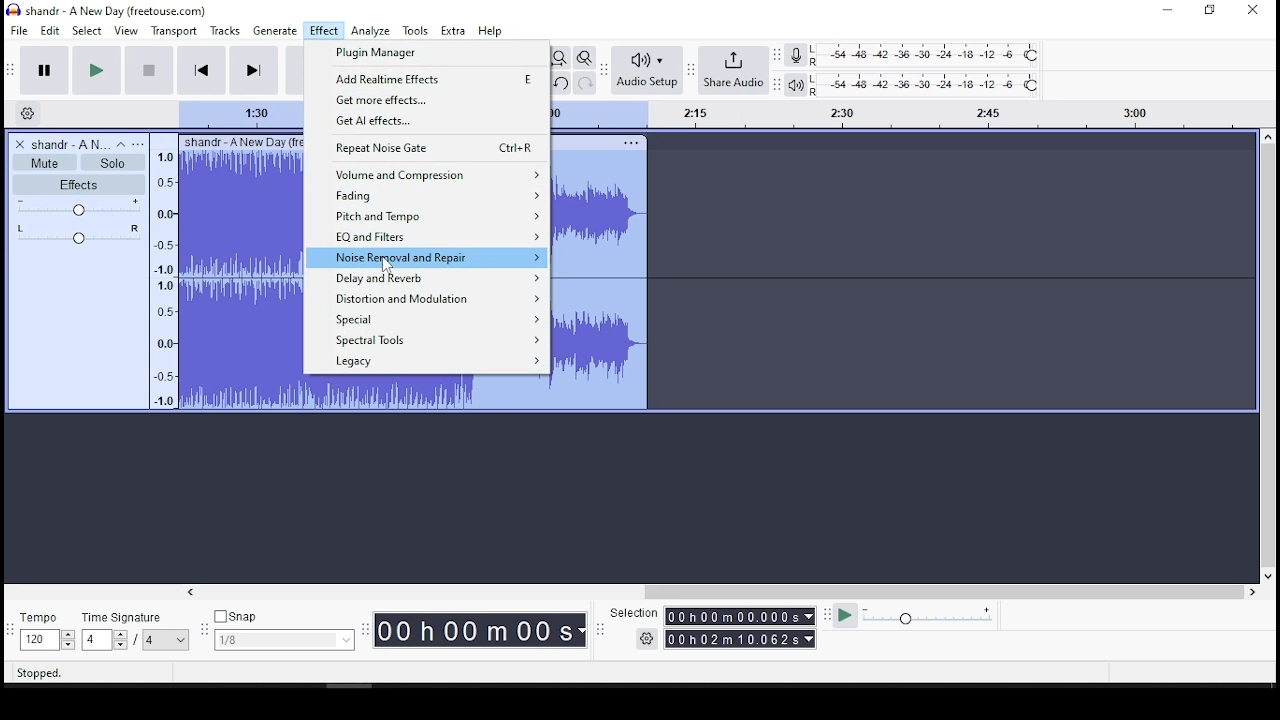  What do you see at coordinates (427, 173) in the screenshot?
I see `volume and compression` at bounding box center [427, 173].